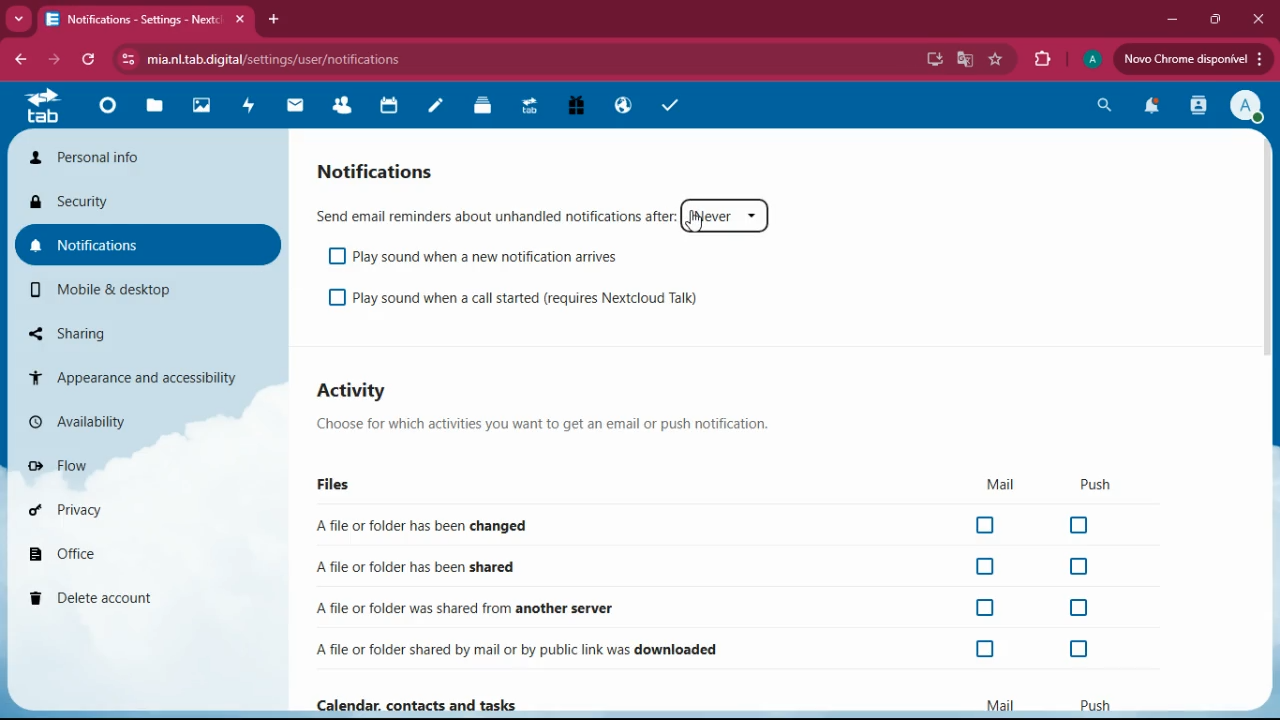 This screenshot has width=1280, height=720. I want to click on off, so click(986, 650).